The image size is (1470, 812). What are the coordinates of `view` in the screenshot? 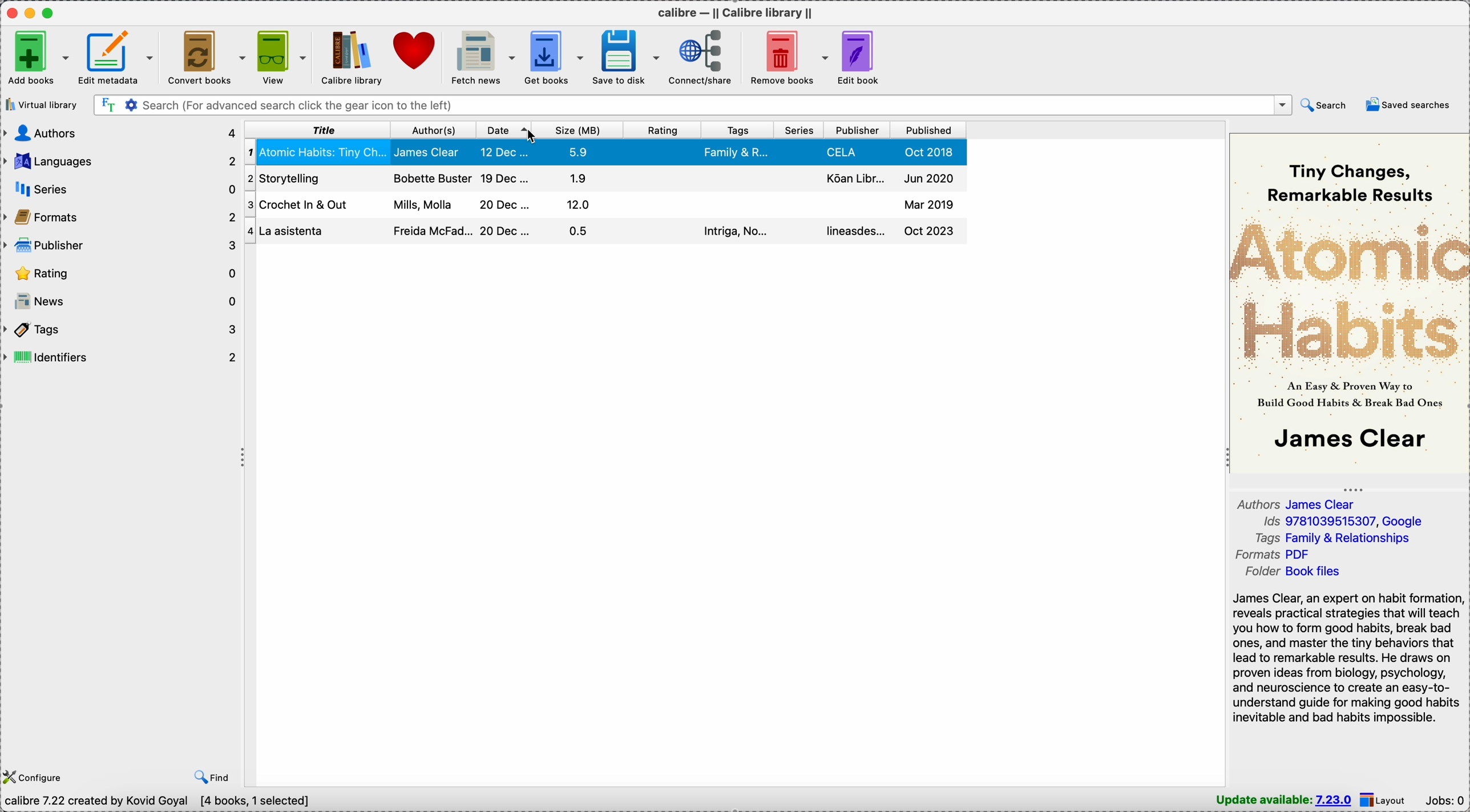 It's located at (283, 58).